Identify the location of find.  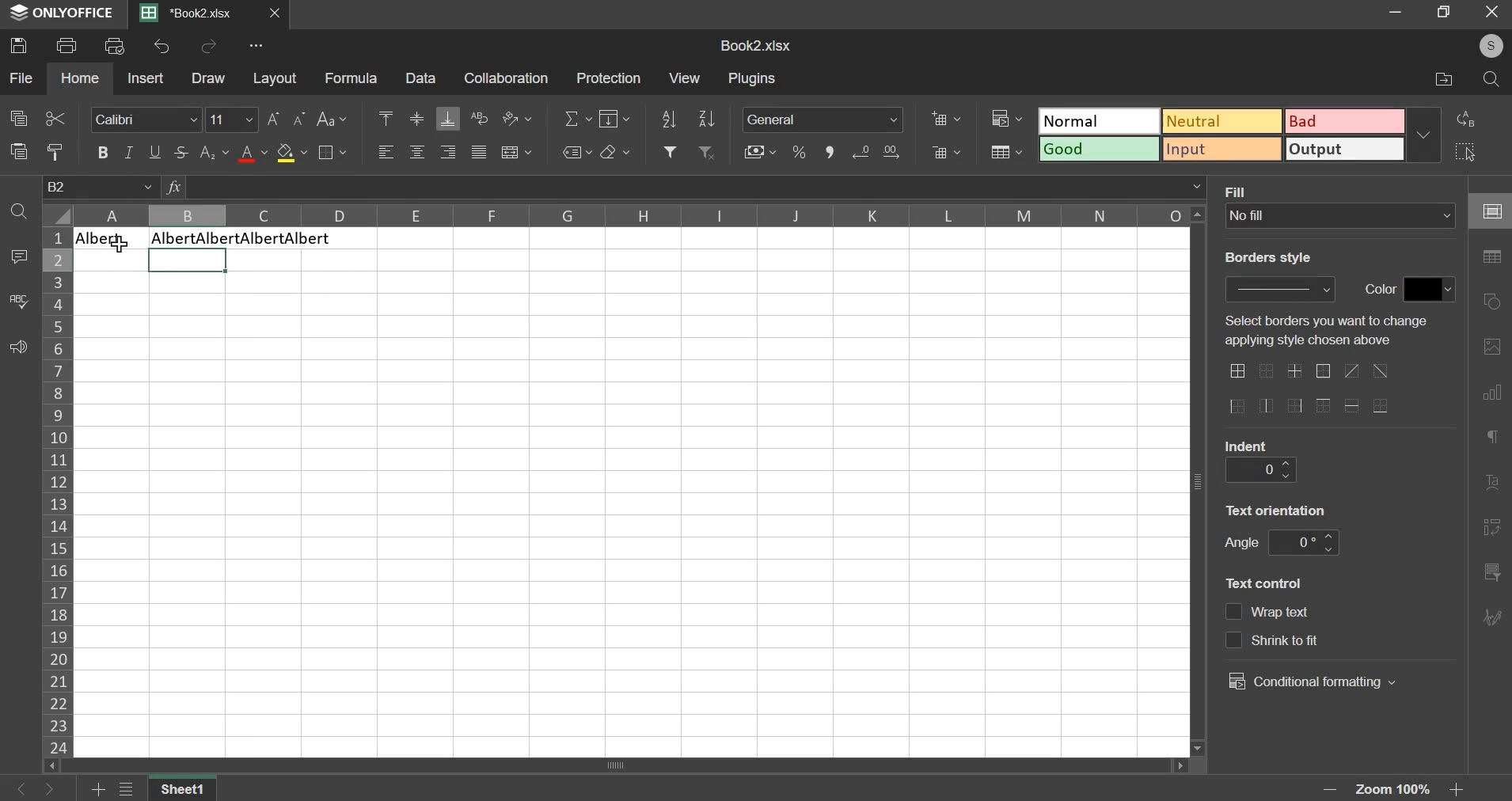
(18, 212).